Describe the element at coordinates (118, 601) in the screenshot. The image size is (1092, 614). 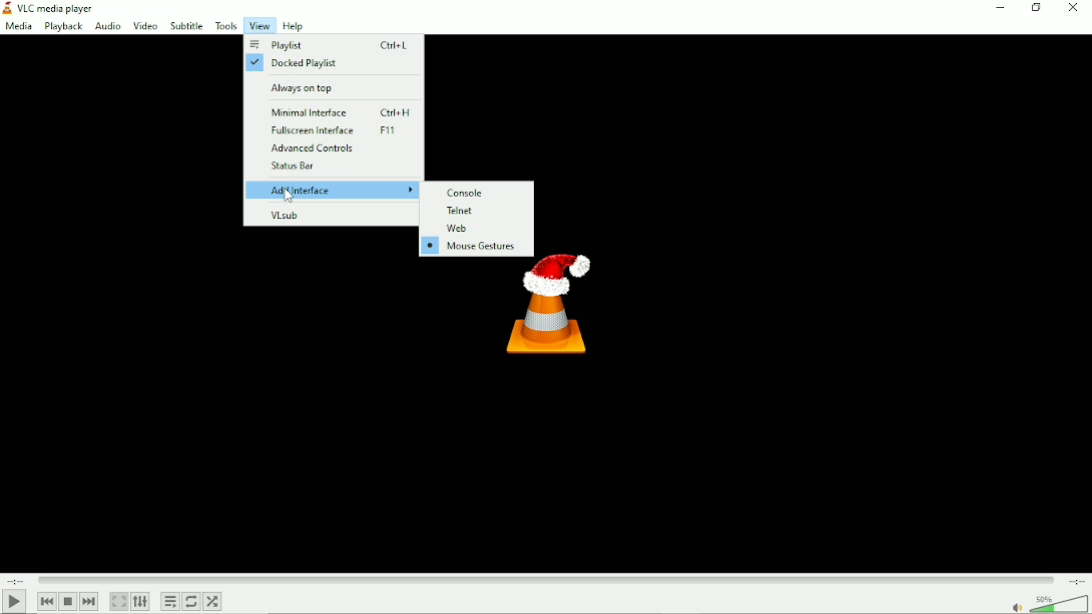
I see `Toggle video in fullscreen` at that location.